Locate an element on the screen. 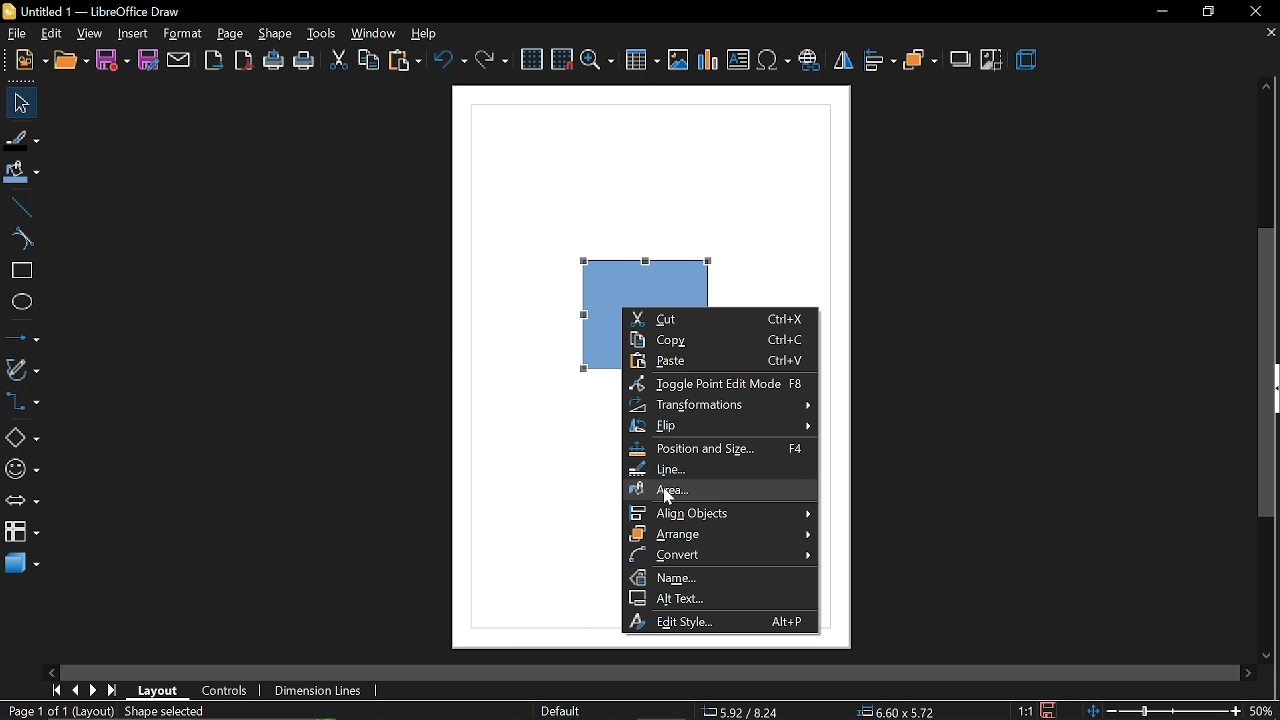  view is located at coordinates (90, 34).